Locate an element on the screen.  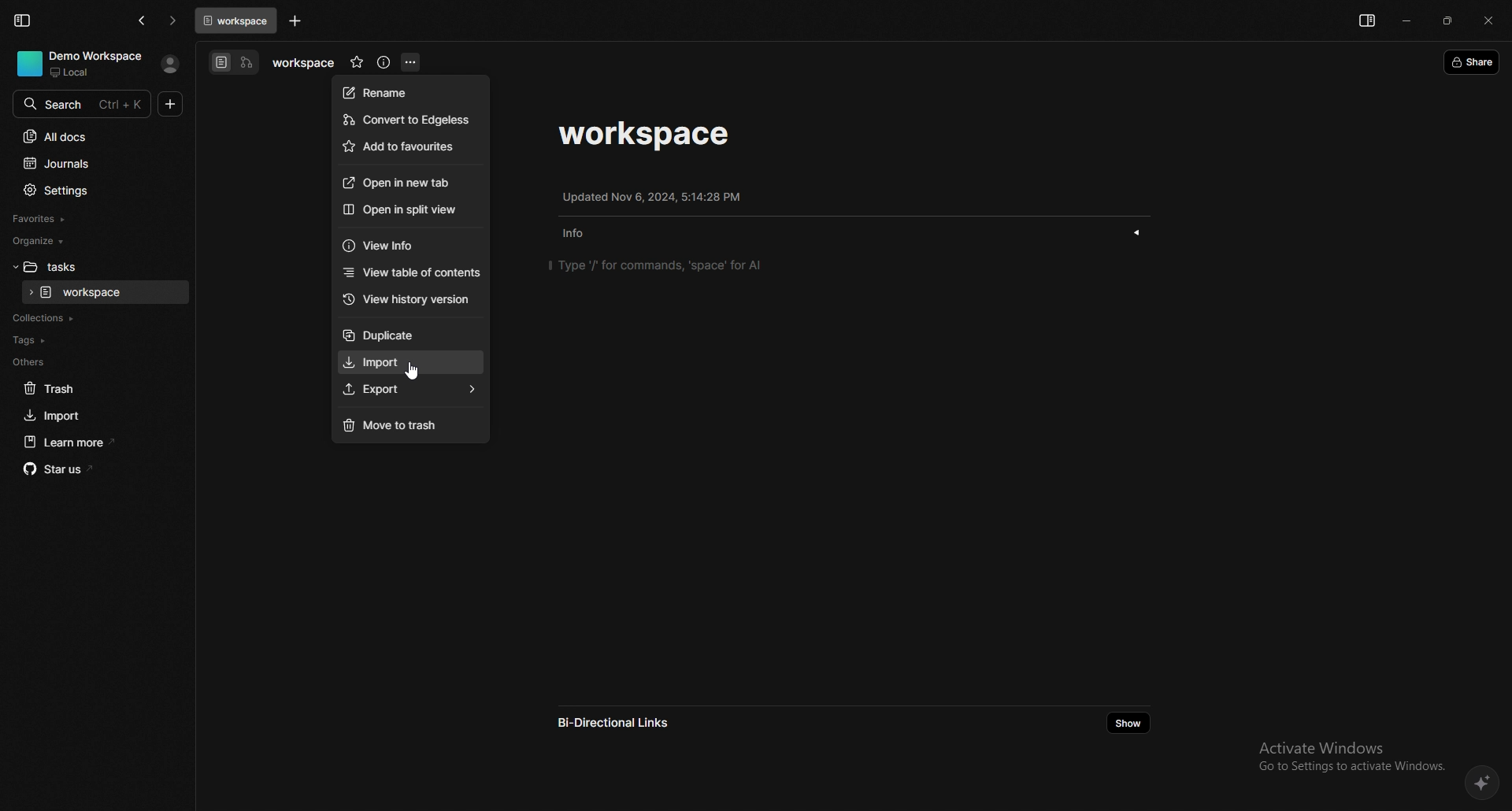
journals is located at coordinates (90, 165).